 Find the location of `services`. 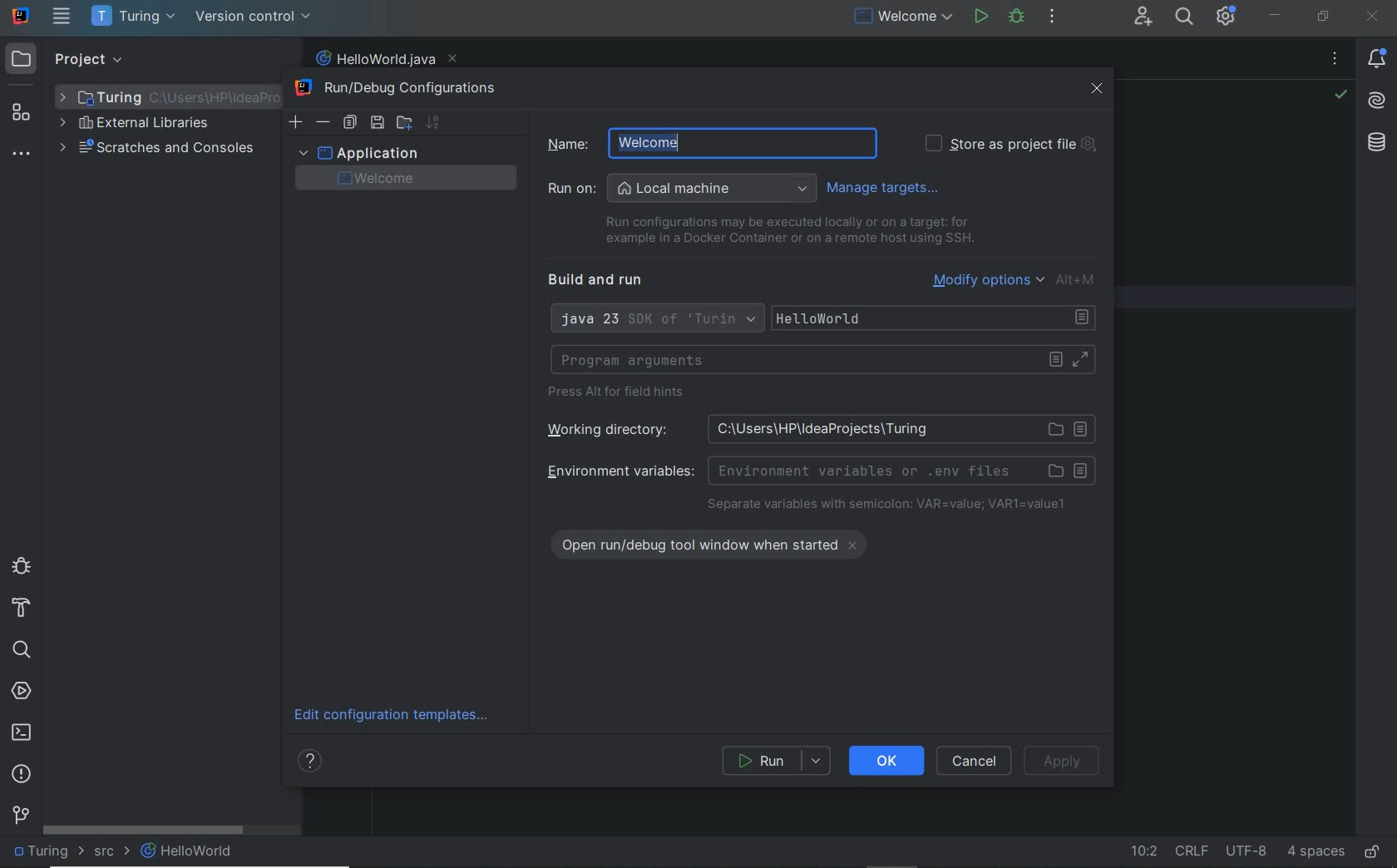

services is located at coordinates (22, 693).